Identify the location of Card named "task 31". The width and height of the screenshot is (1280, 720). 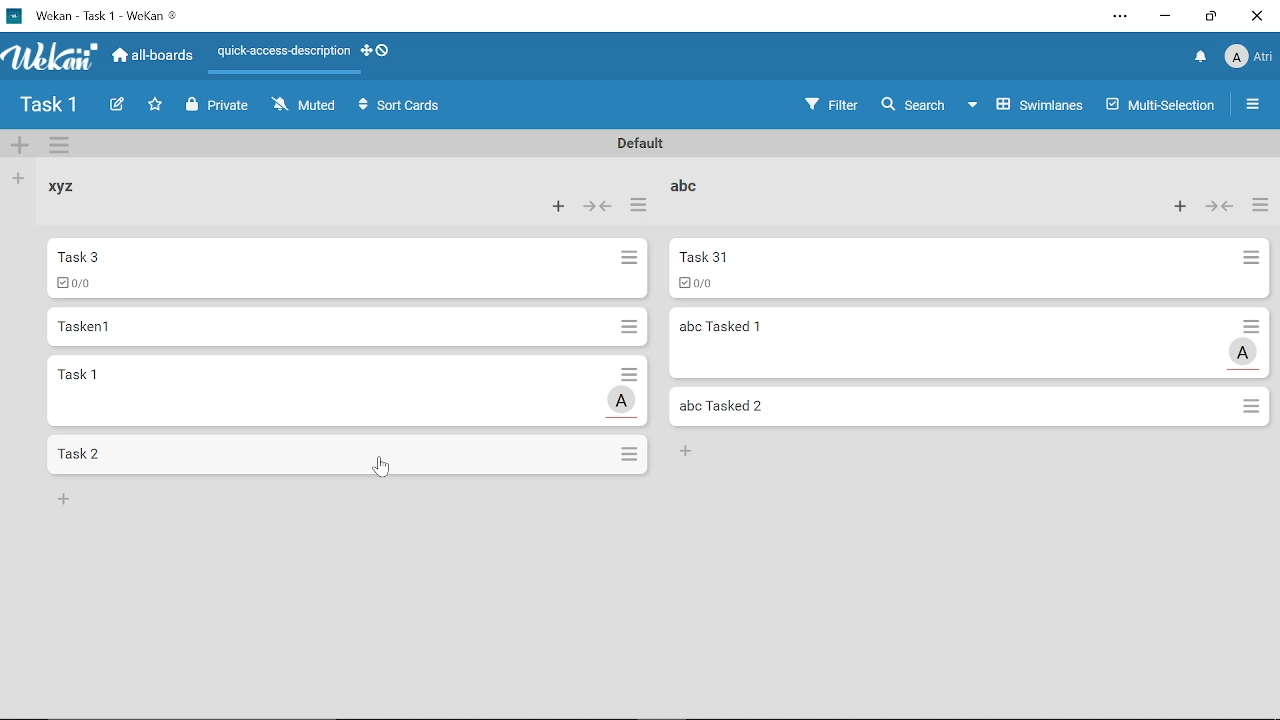
(946, 269).